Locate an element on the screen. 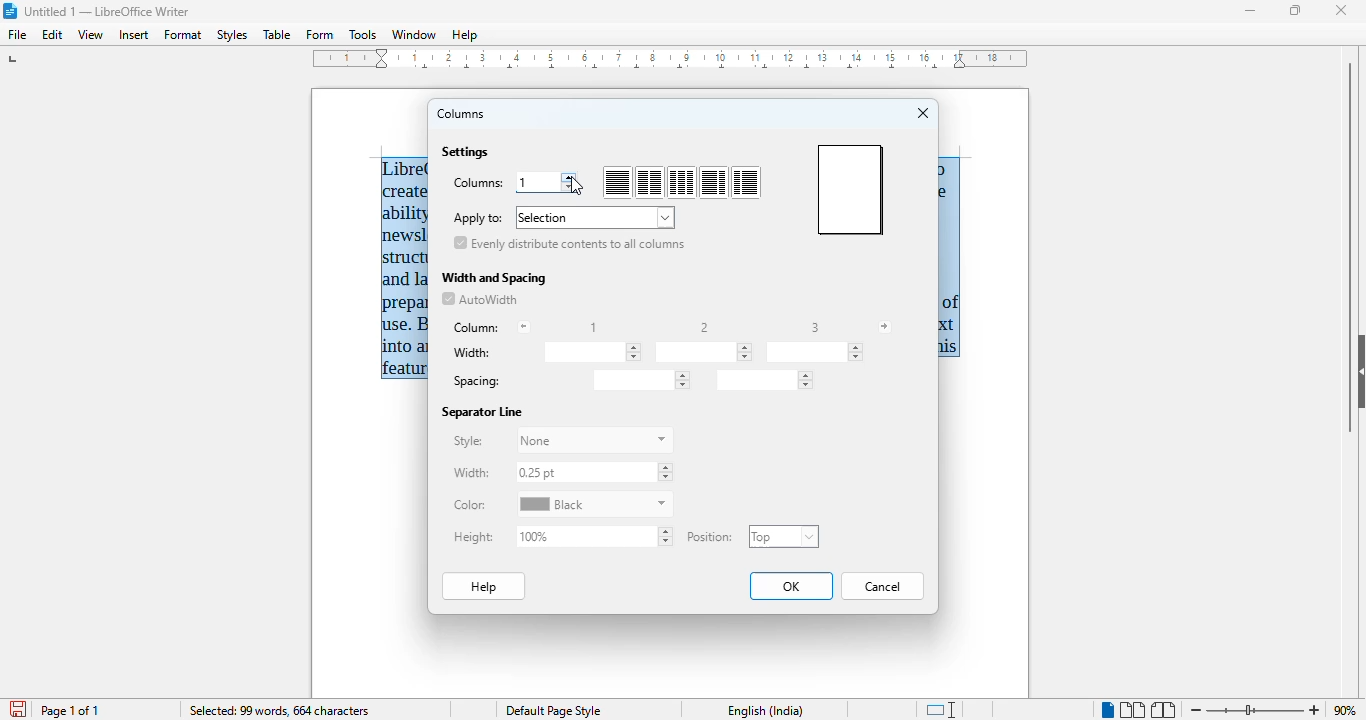 Image resolution: width=1366 pixels, height=720 pixels. 2 columns with different size (left>right) is located at coordinates (713, 182).